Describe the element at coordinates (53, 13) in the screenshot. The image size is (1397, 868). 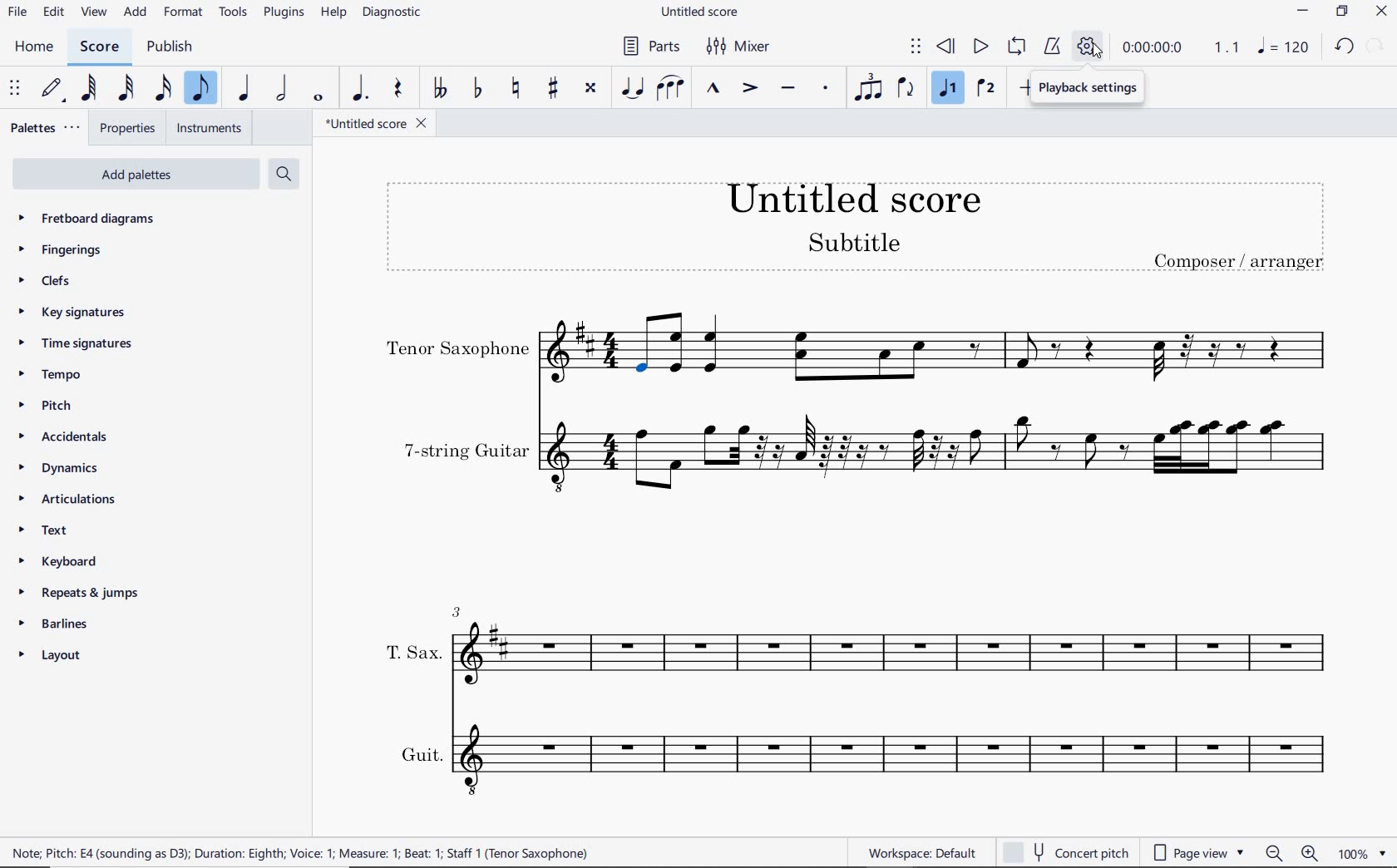
I see `EDIT` at that location.